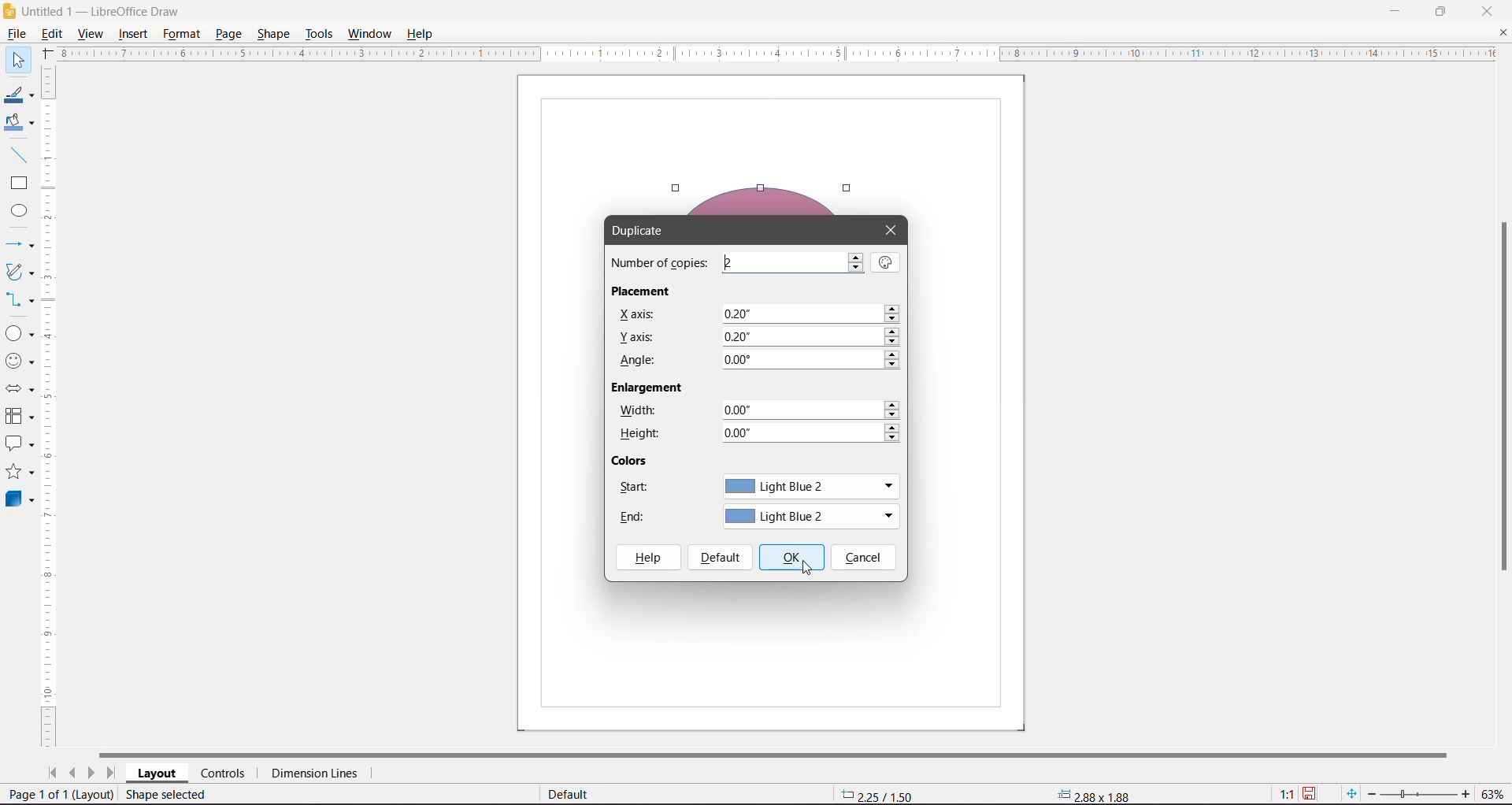 This screenshot has height=805, width=1512. Describe the element at coordinates (1396, 12) in the screenshot. I see `Minimize` at that location.